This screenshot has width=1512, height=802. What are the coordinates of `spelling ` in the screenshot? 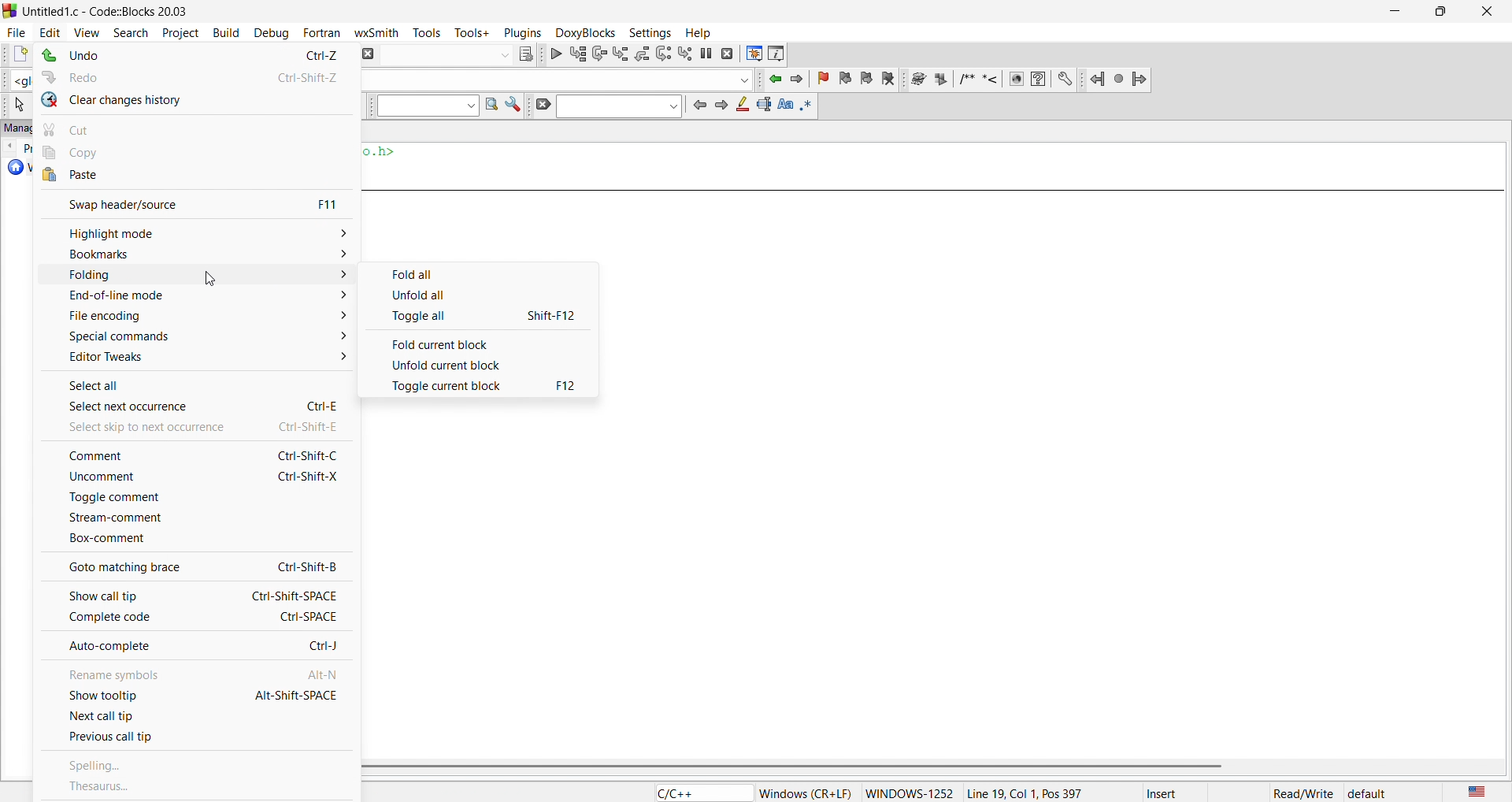 It's located at (198, 767).